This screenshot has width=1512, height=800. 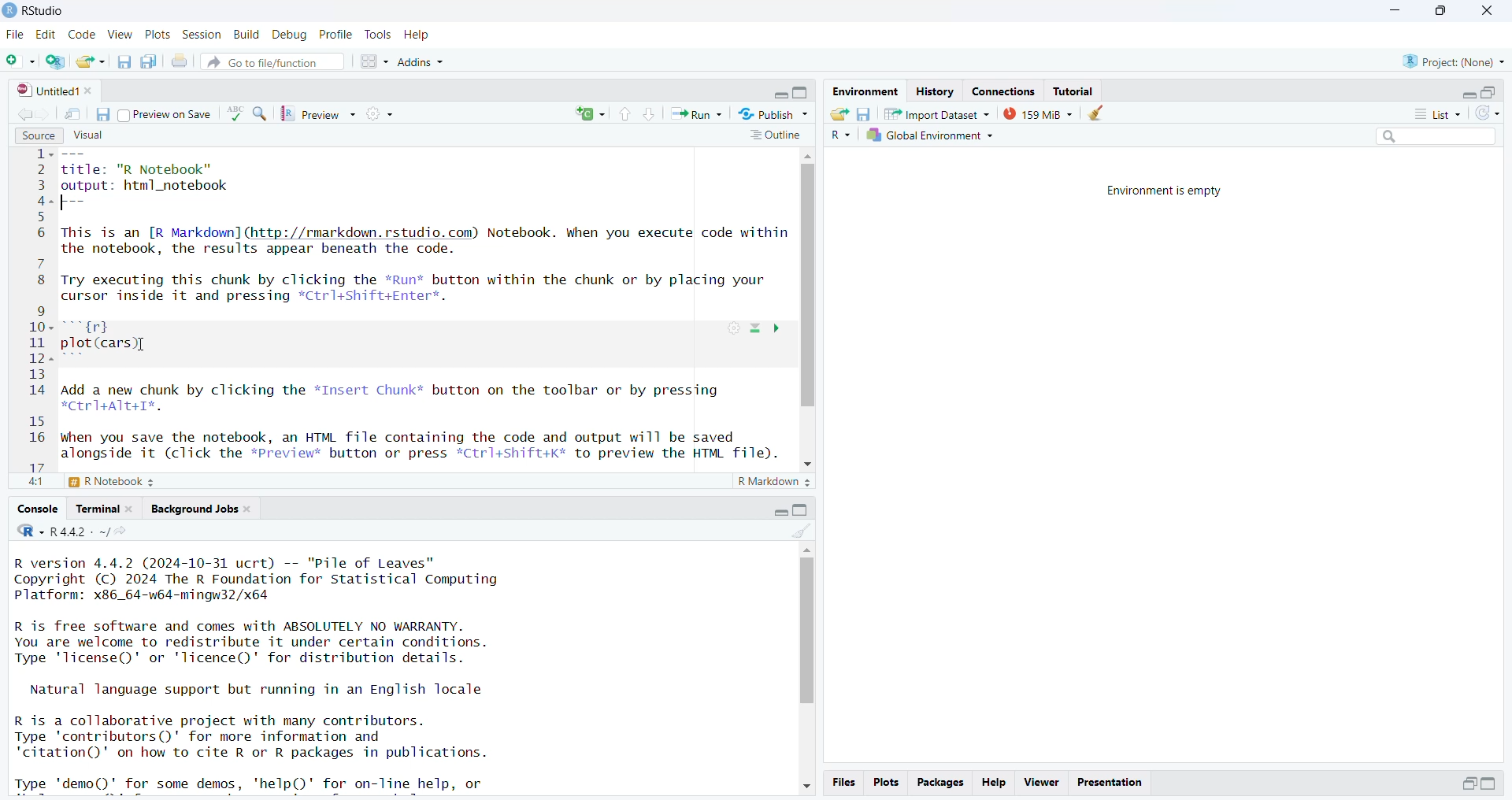 I want to click on save workspace, so click(x=864, y=113).